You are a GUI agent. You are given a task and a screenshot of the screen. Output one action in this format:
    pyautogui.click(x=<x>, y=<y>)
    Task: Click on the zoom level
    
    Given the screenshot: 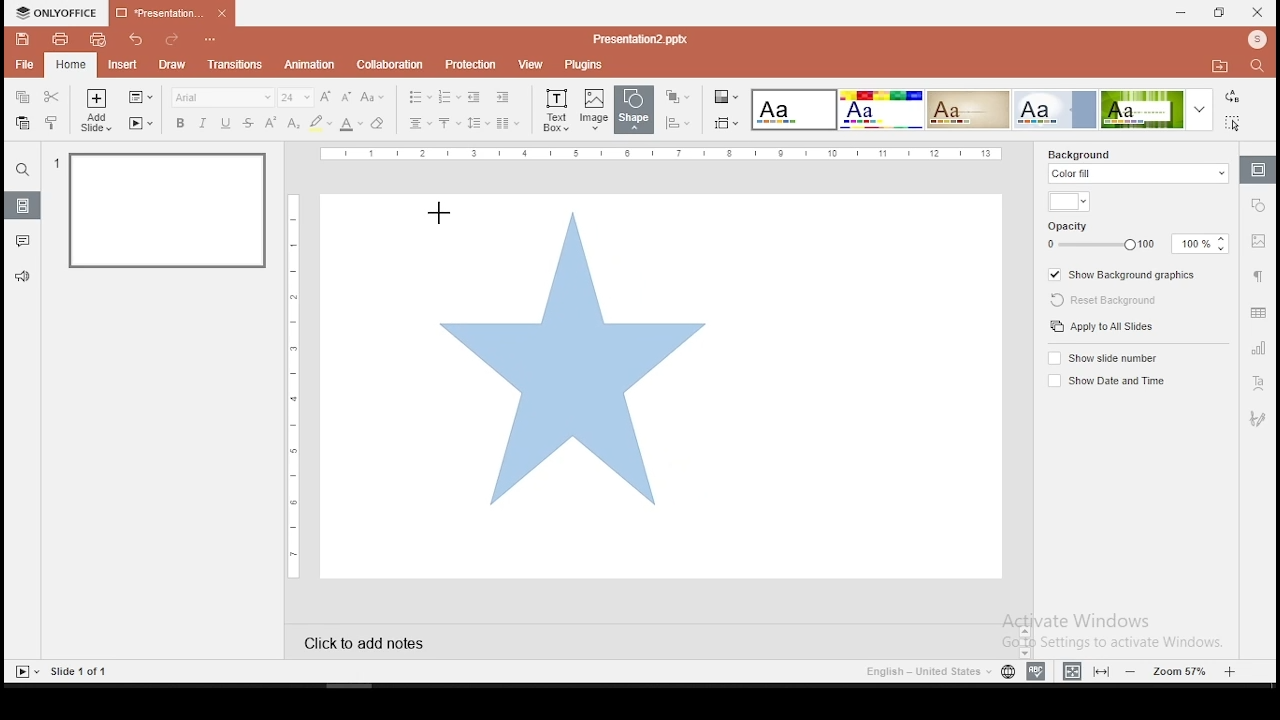 What is the action you would take?
    pyautogui.click(x=1182, y=670)
    